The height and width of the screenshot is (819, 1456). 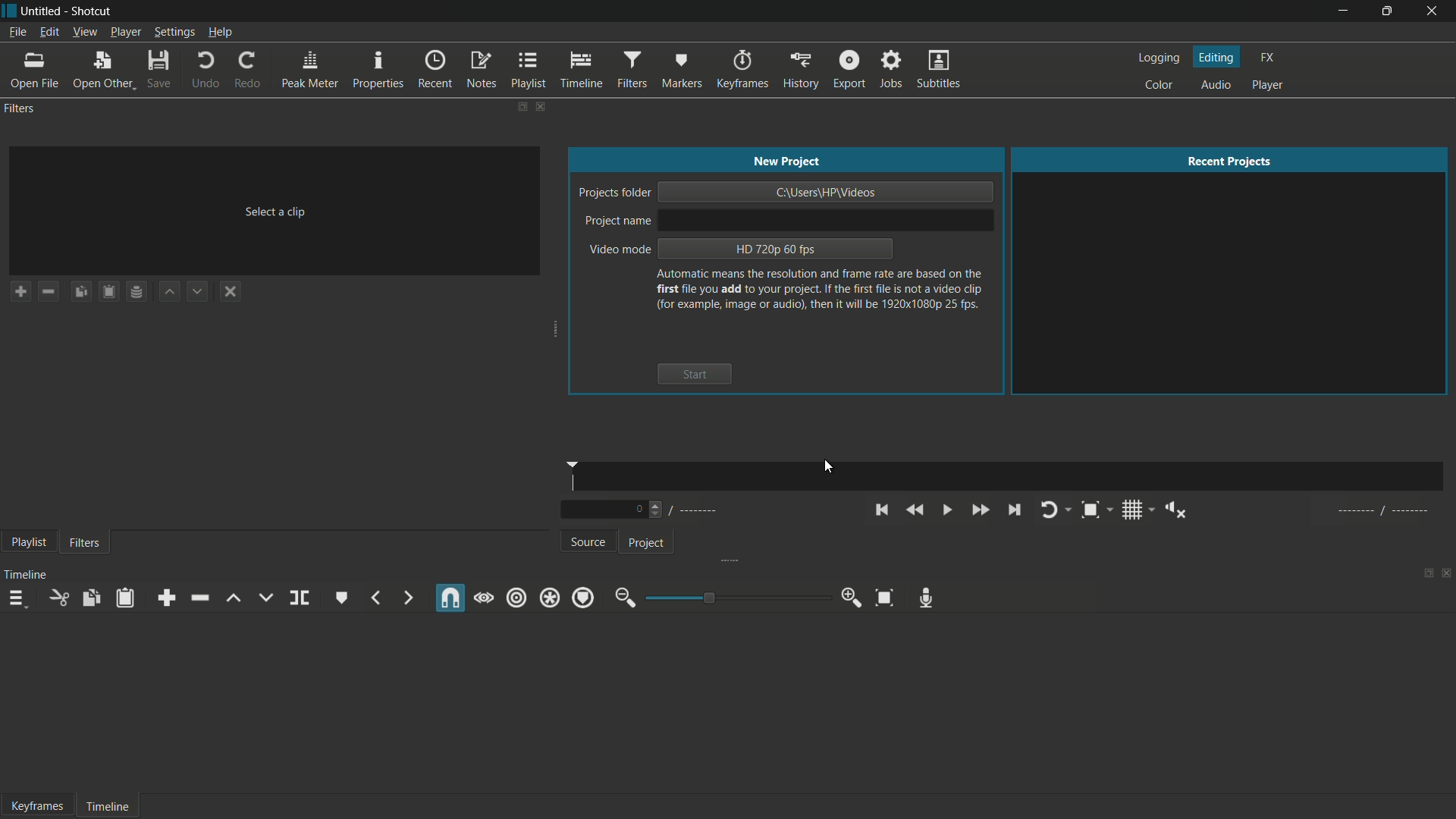 I want to click on markers, so click(x=682, y=70).